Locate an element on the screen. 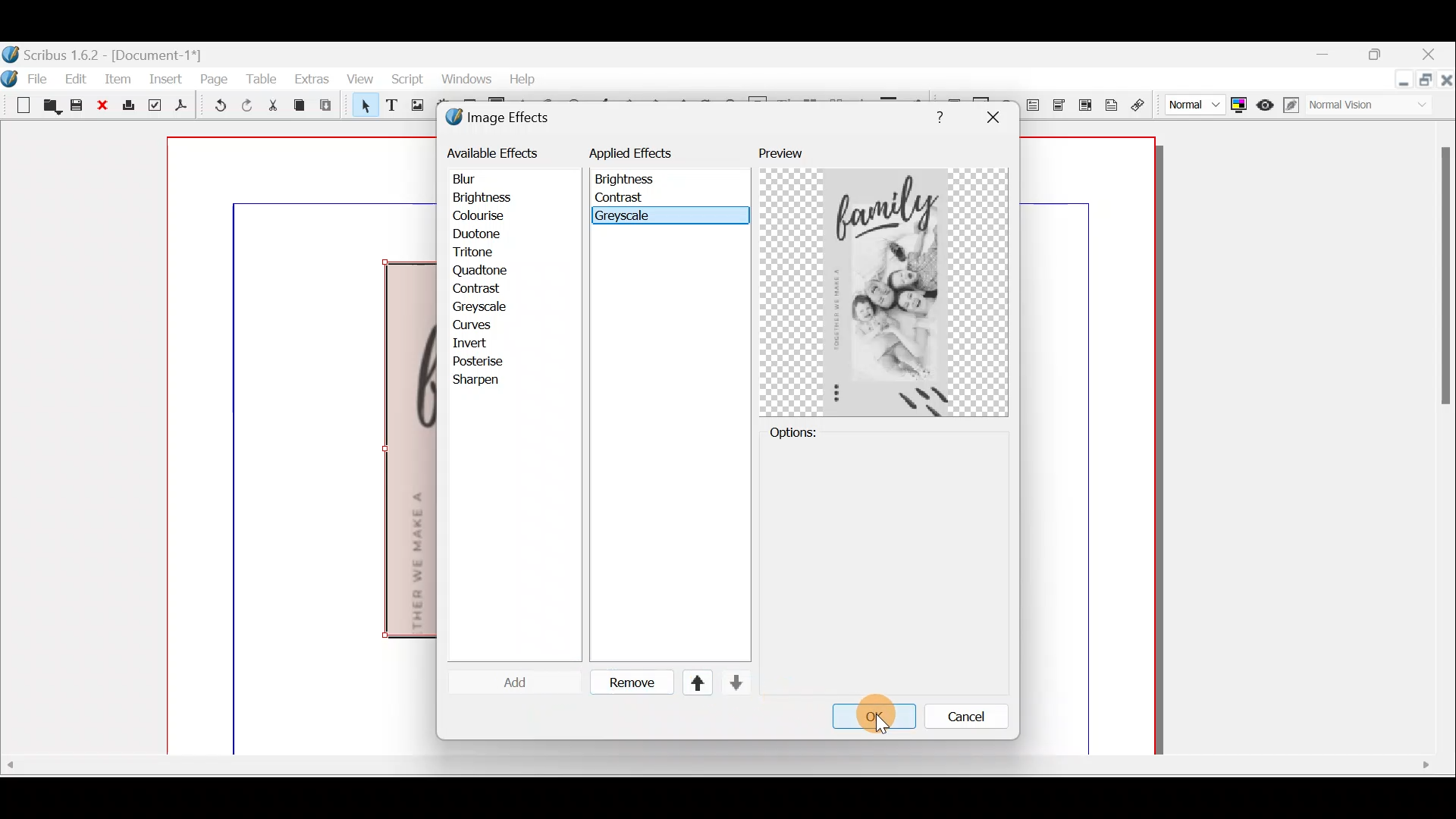 The height and width of the screenshot is (819, 1456). Minimise is located at coordinates (1398, 80).